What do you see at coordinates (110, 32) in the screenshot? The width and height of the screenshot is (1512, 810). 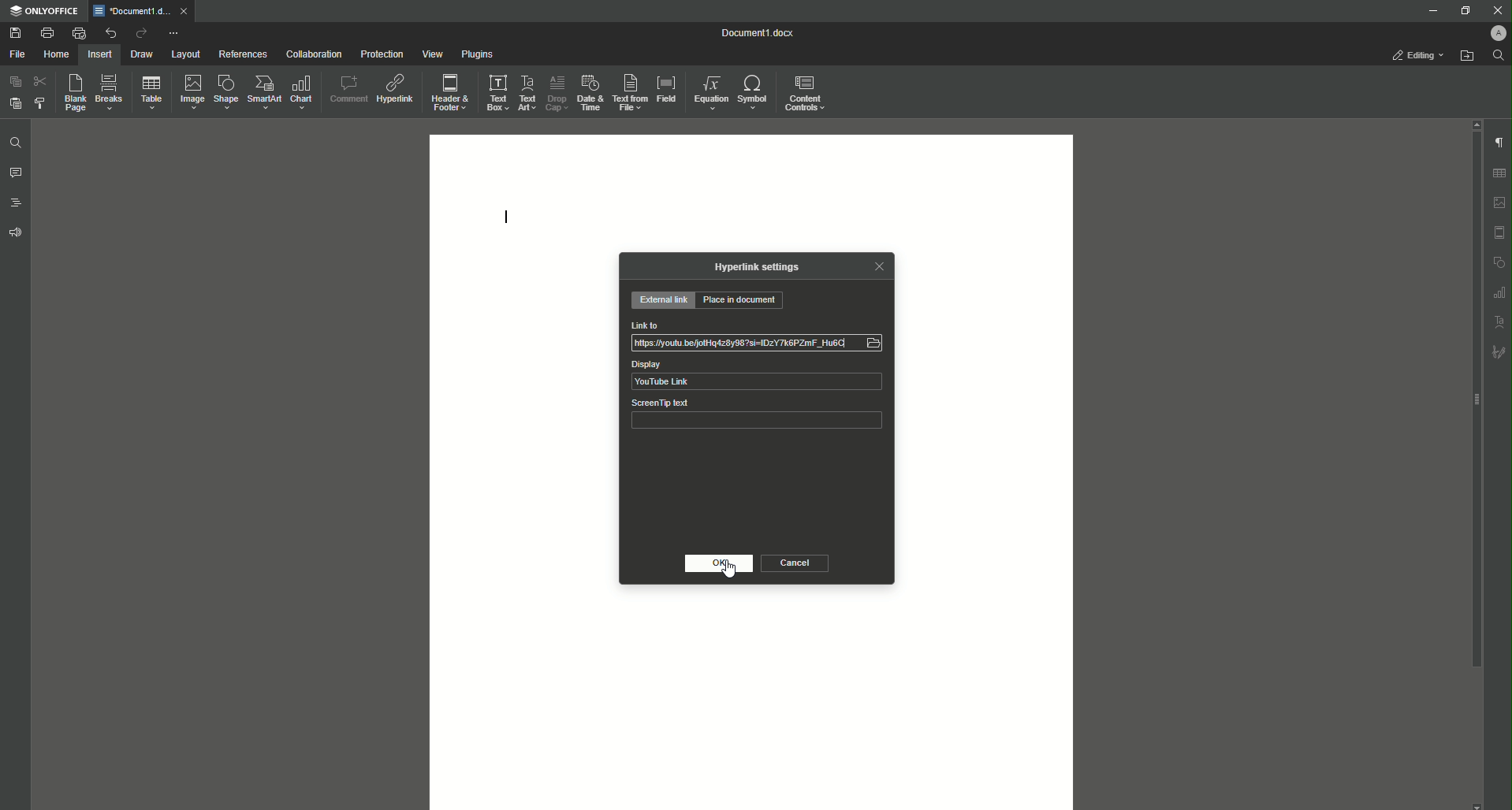 I see `Undo` at bounding box center [110, 32].